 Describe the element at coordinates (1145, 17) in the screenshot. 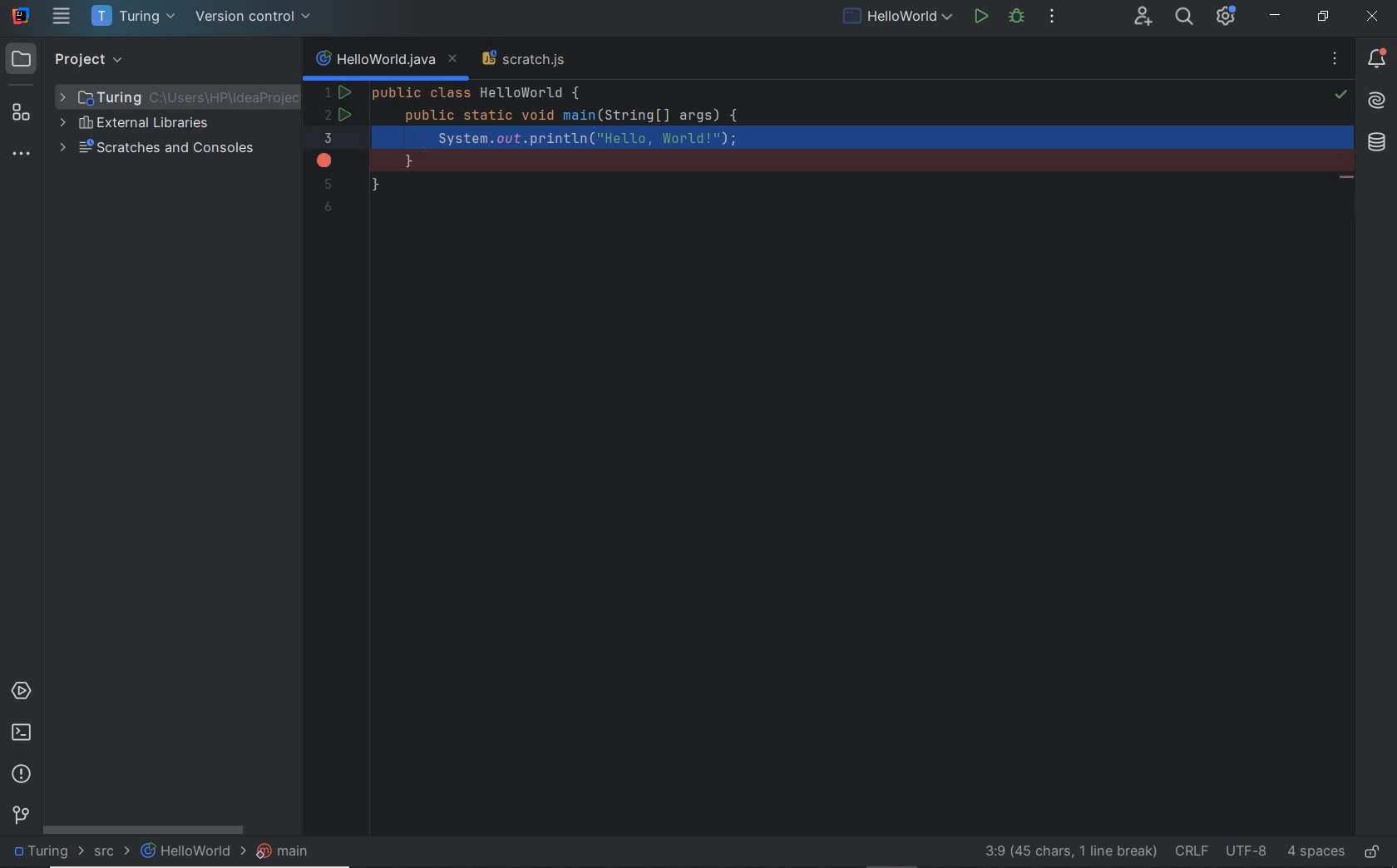

I see `code with me` at that location.